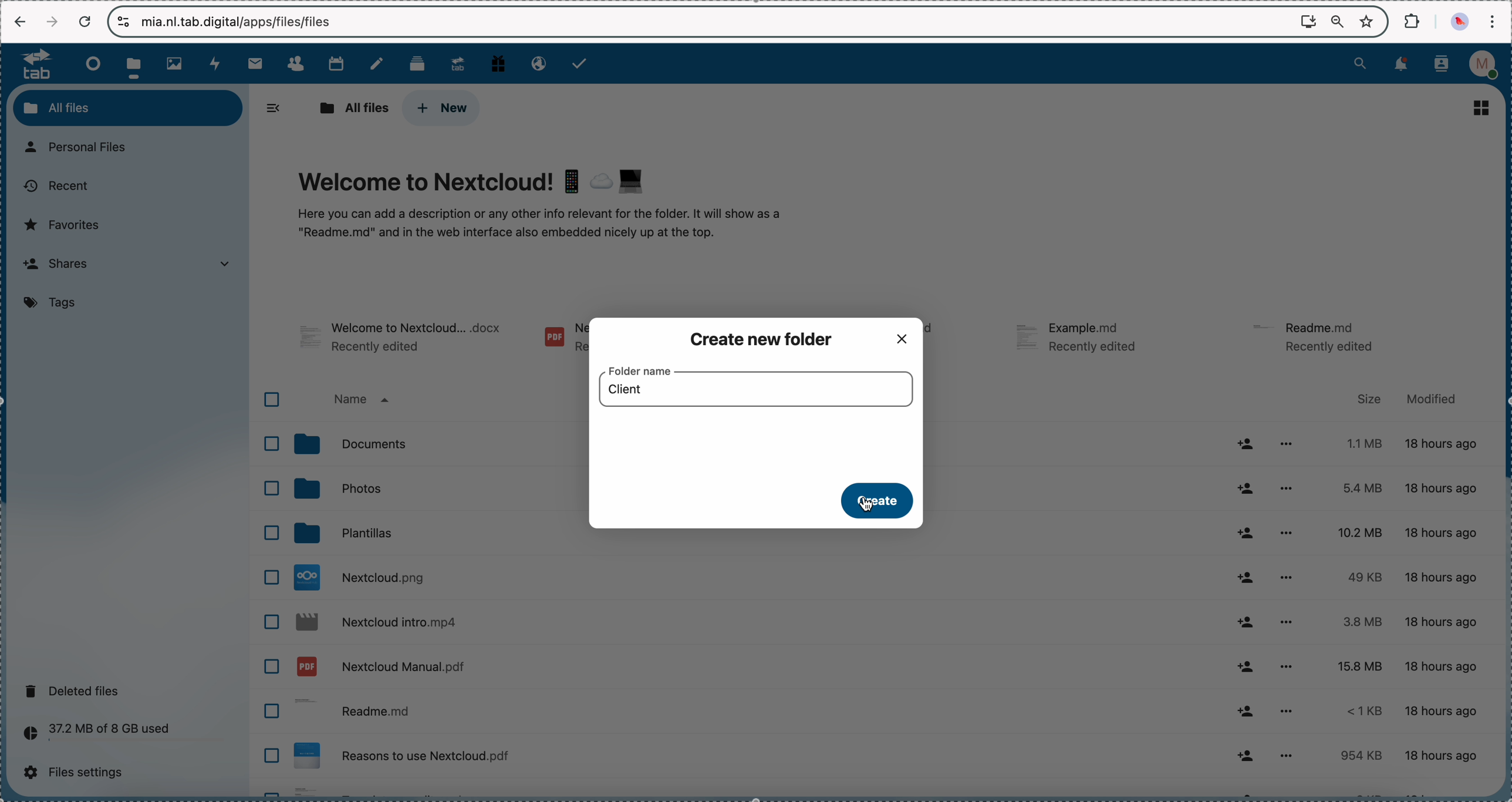 The height and width of the screenshot is (802, 1512). What do you see at coordinates (52, 22) in the screenshot?
I see `navigate foward` at bounding box center [52, 22].